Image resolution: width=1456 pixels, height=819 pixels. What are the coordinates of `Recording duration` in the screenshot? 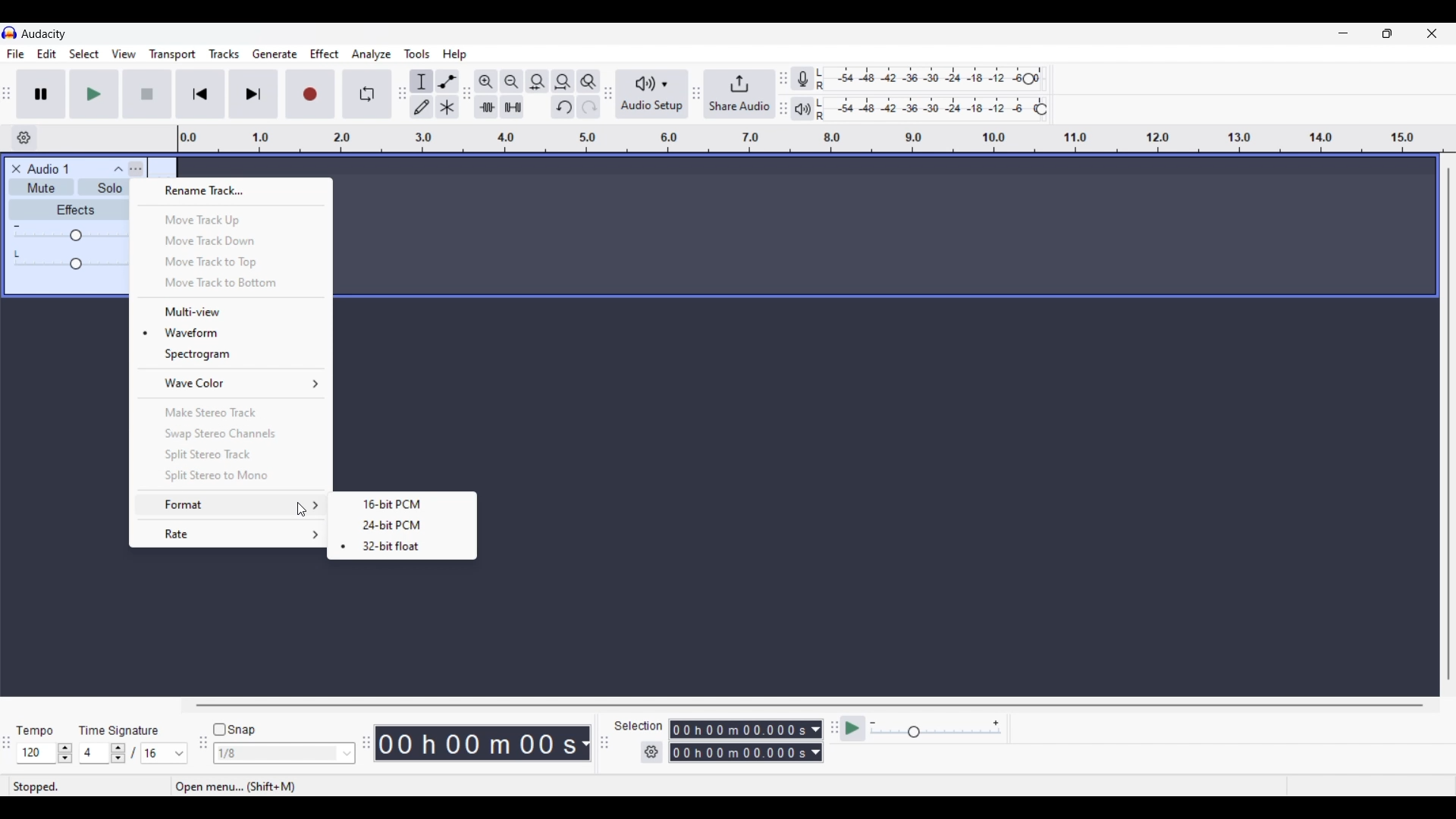 It's located at (737, 741).